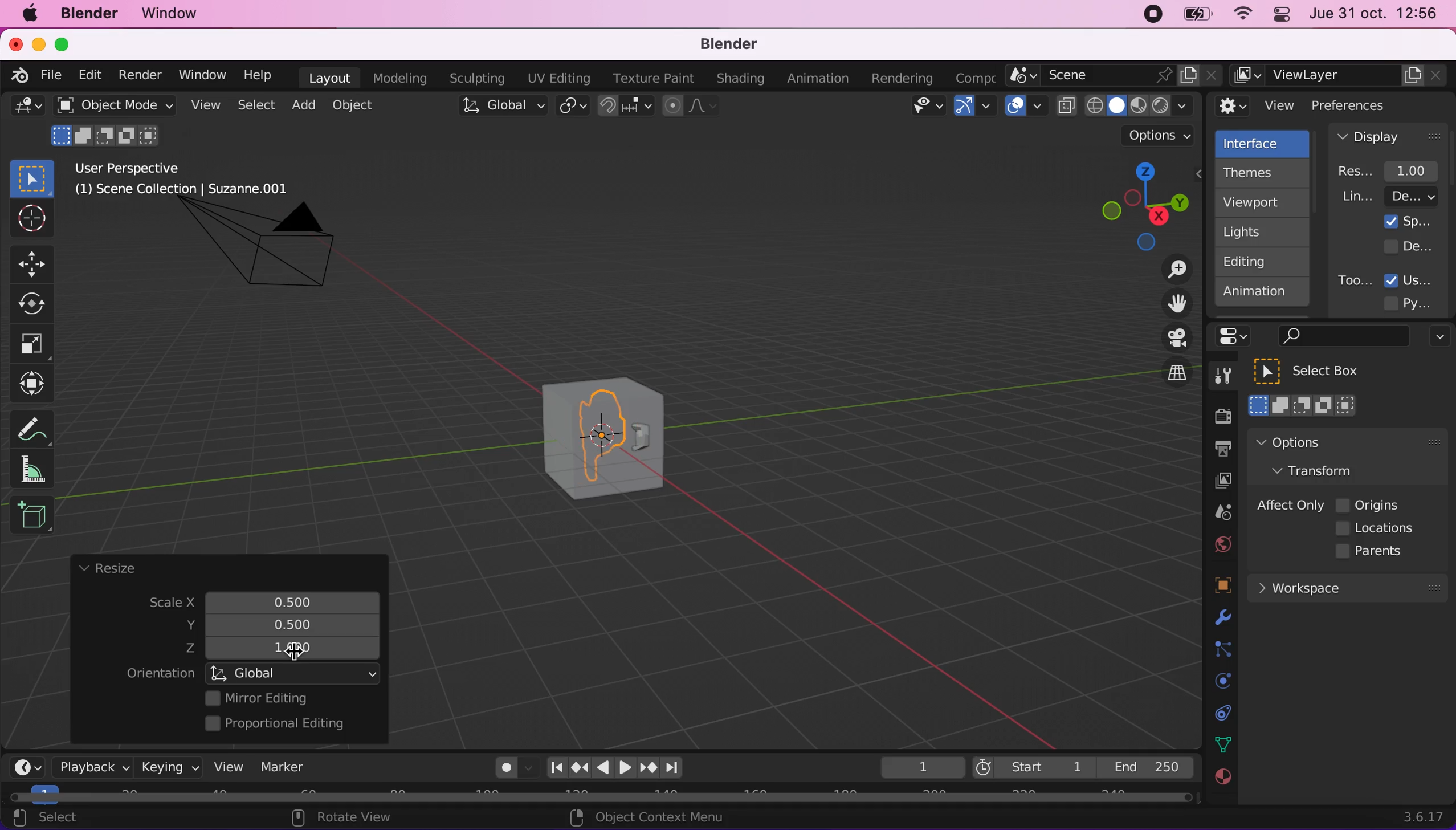 Image resolution: width=1456 pixels, height=830 pixels. I want to click on annotate, so click(37, 426).